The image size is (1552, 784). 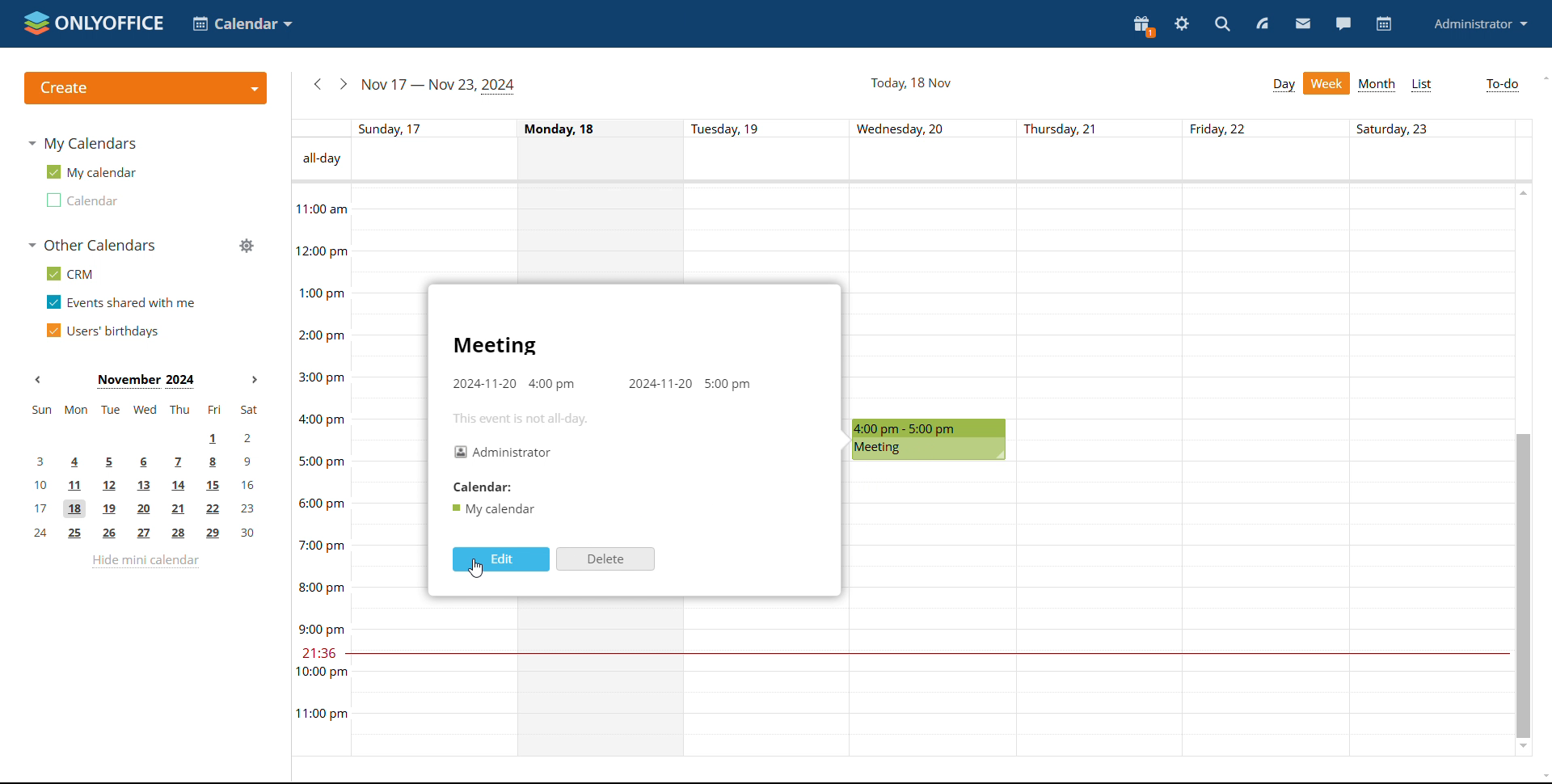 I want to click on friday, so click(x=1267, y=470).